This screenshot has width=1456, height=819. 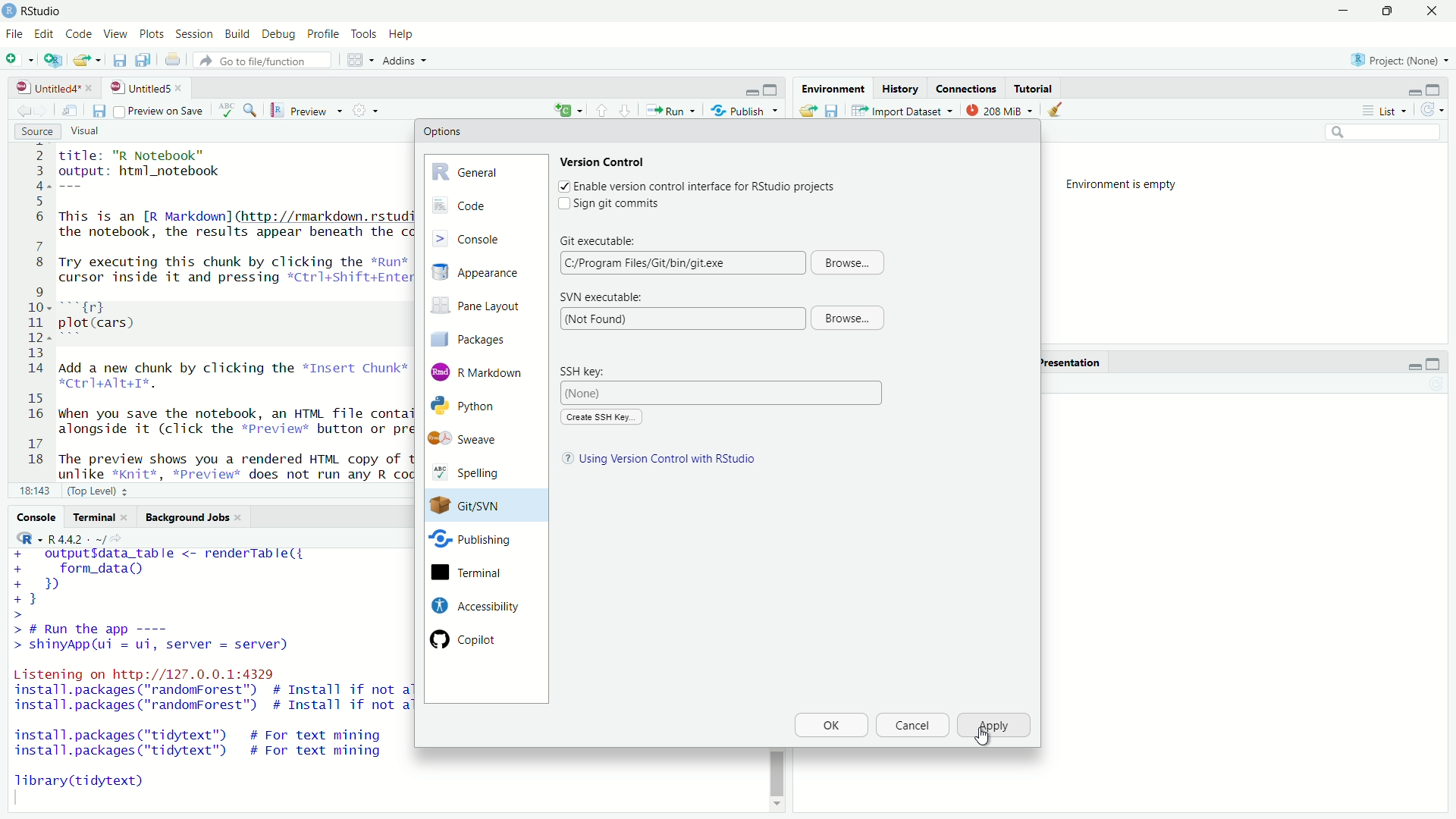 What do you see at coordinates (846, 318) in the screenshot?
I see `Browse...` at bounding box center [846, 318].